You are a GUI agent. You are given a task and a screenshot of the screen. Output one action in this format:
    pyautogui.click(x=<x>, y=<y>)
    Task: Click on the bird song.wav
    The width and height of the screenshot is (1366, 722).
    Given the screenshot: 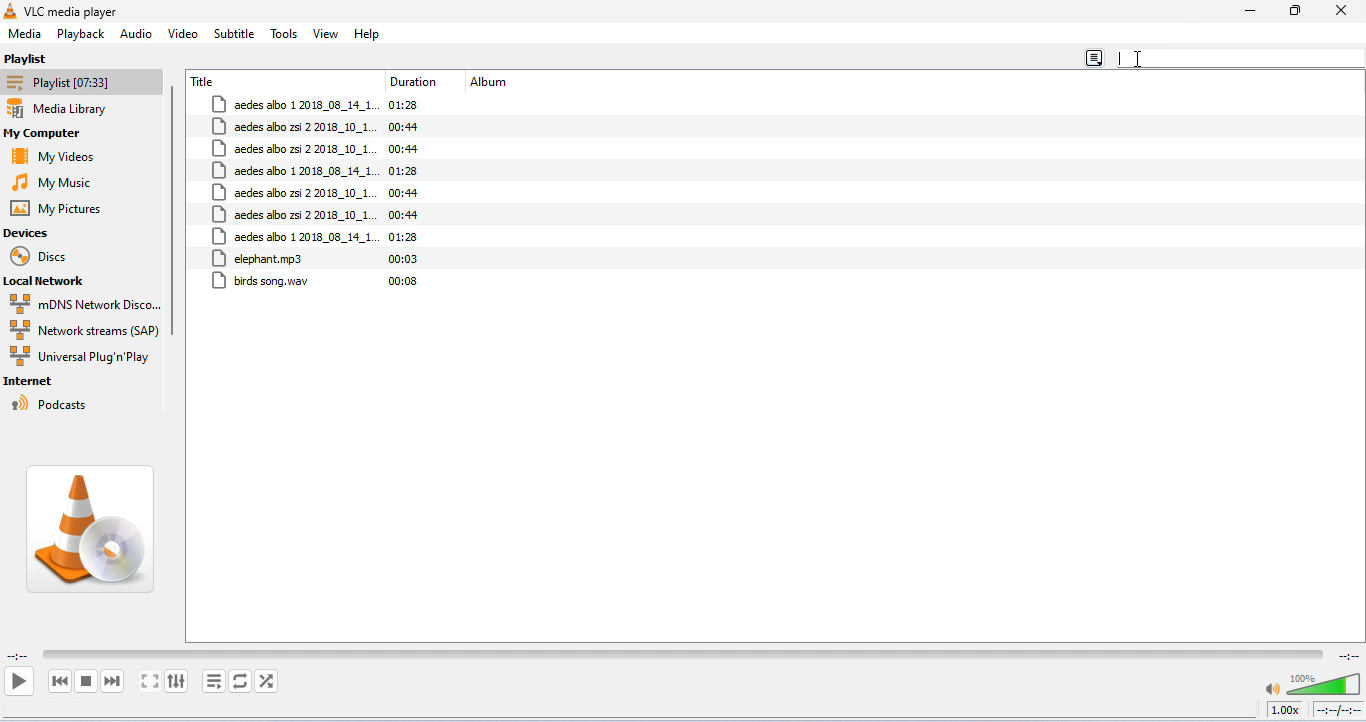 What is the action you would take?
    pyautogui.click(x=263, y=282)
    